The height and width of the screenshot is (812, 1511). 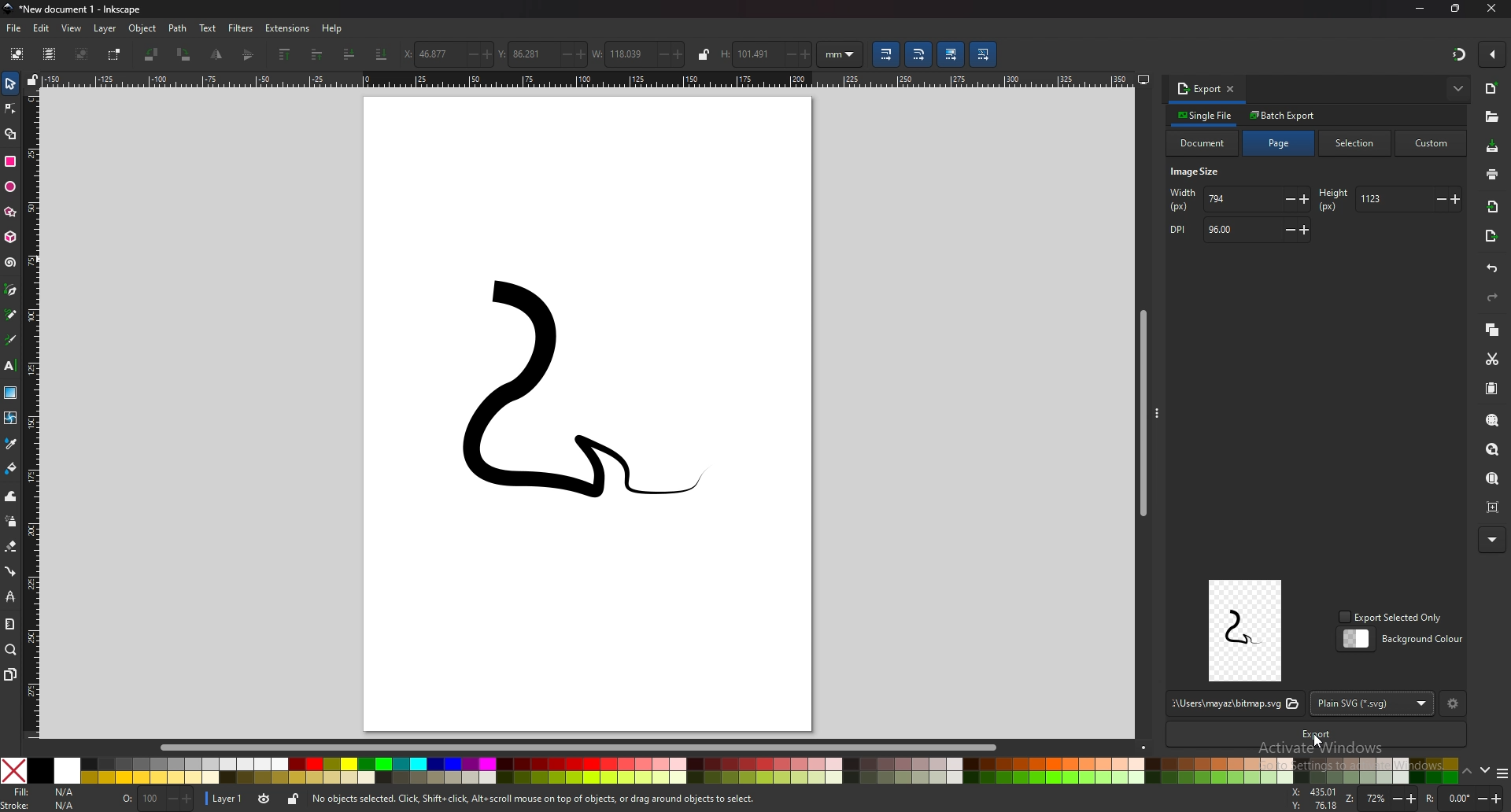 What do you see at coordinates (10, 109) in the screenshot?
I see `node` at bounding box center [10, 109].